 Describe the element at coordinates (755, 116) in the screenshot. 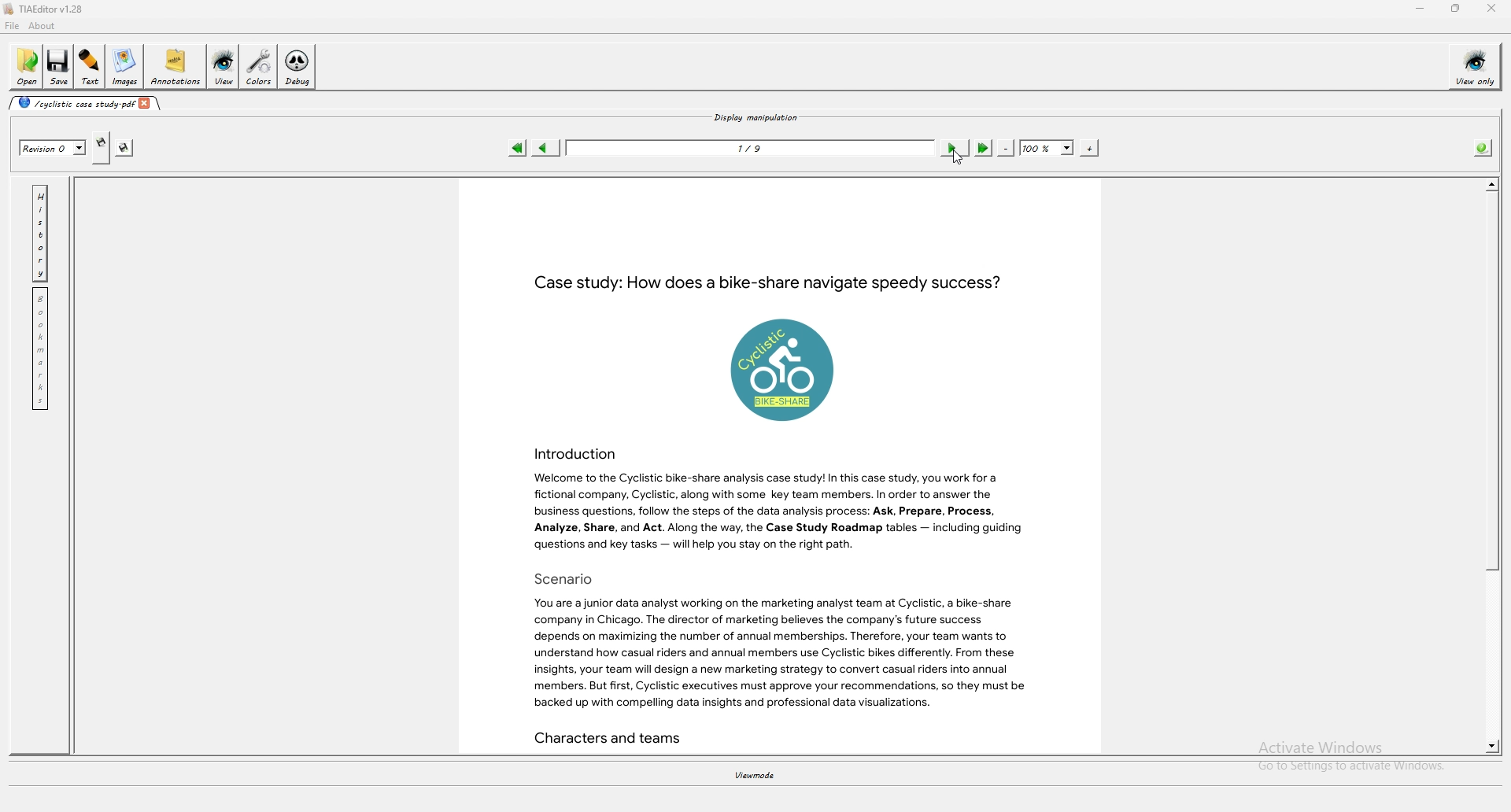

I see `display manipulation` at that location.